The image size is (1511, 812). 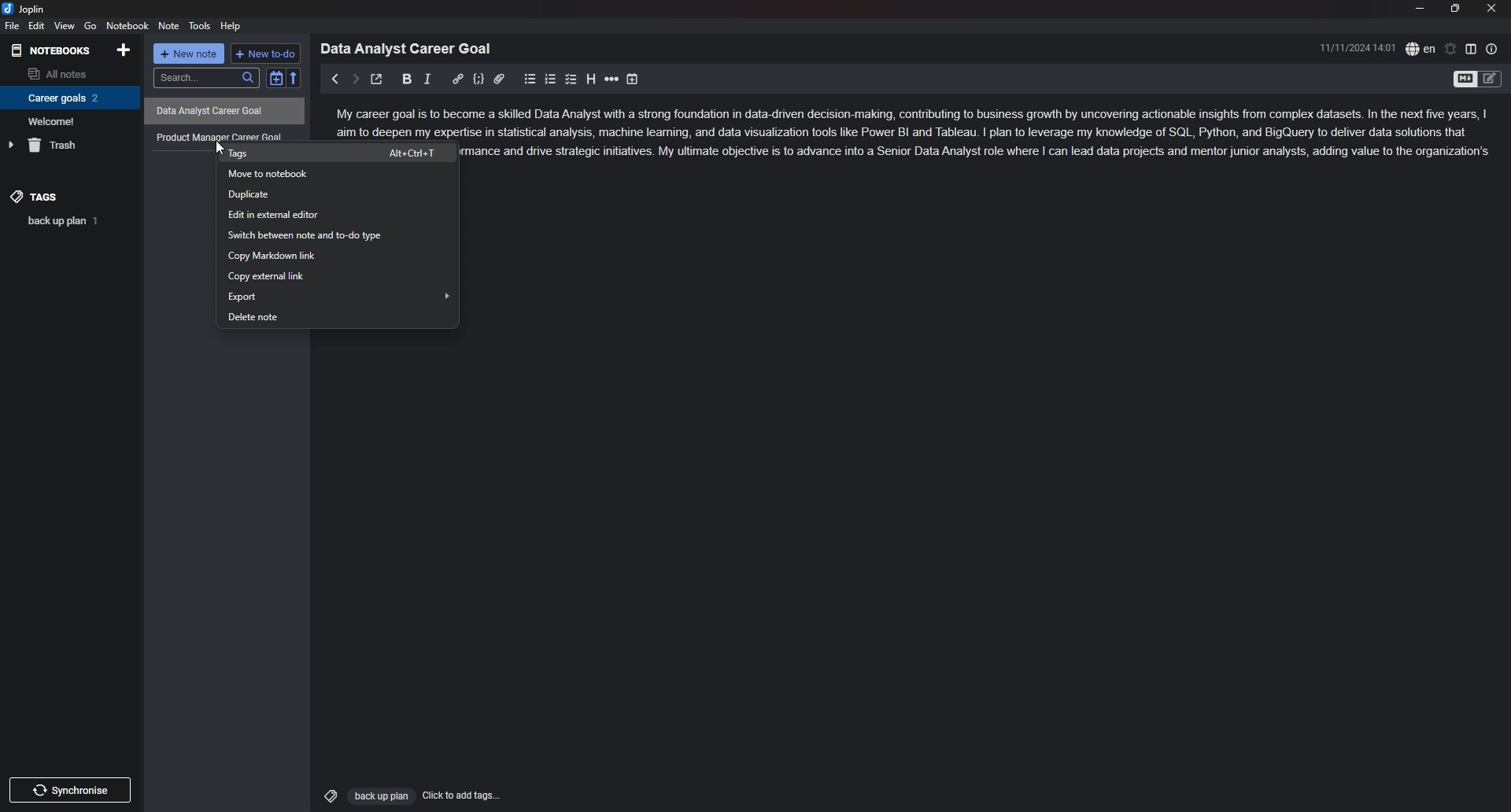 What do you see at coordinates (189, 54) in the screenshot?
I see `+ new note` at bounding box center [189, 54].